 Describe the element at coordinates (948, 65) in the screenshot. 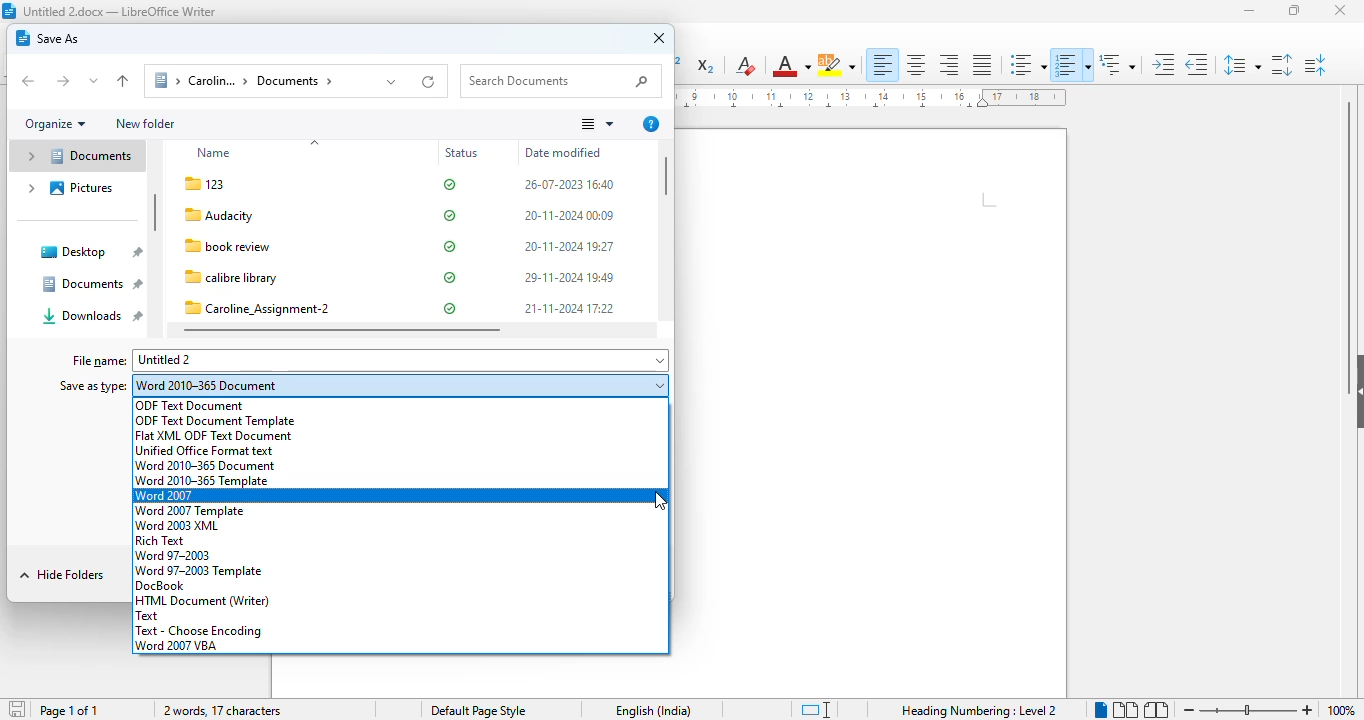

I see `align right` at that location.